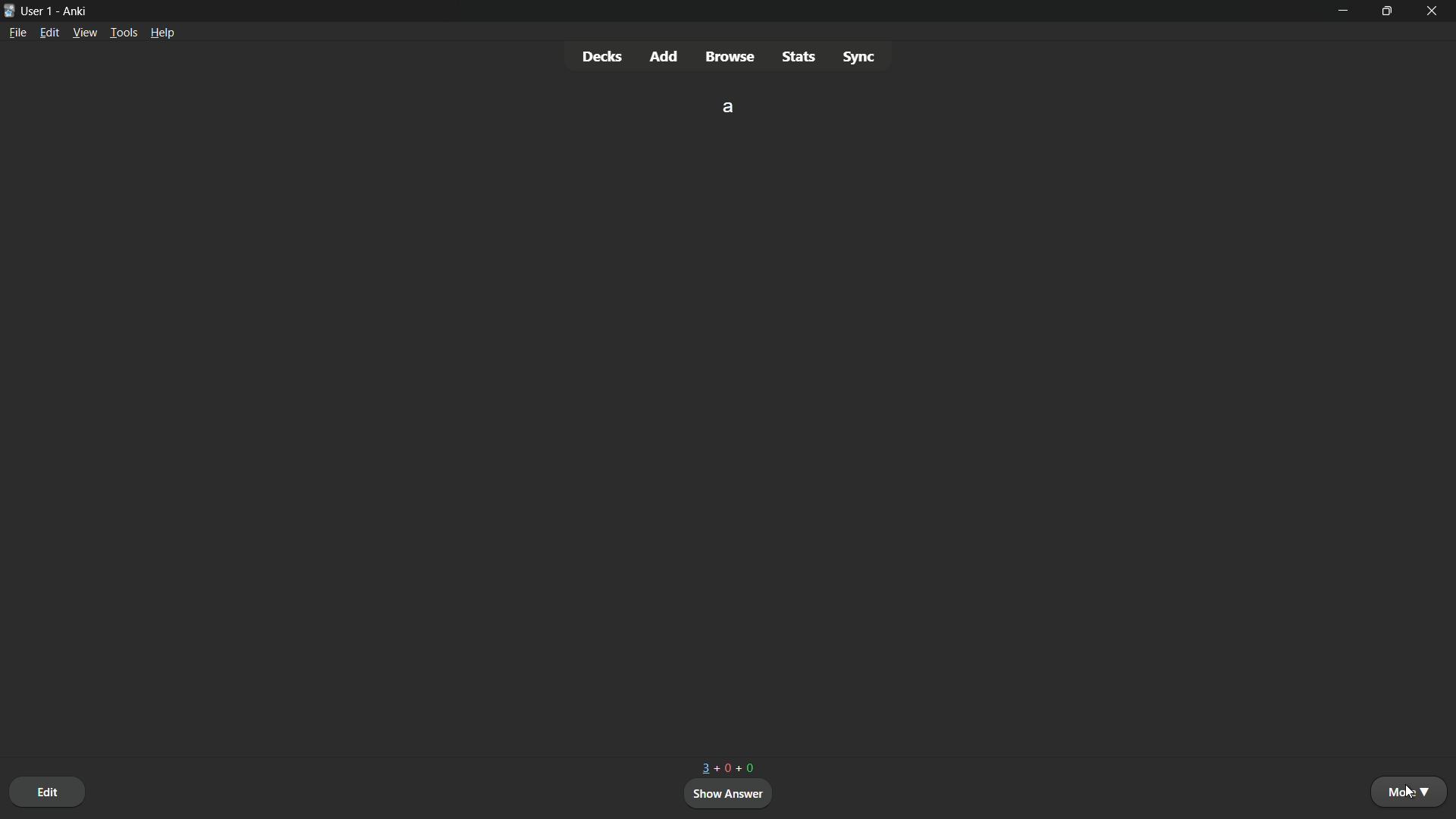 The height and width of the screenshot is (819, 1456). I want to click on decks, so click(601, 55).